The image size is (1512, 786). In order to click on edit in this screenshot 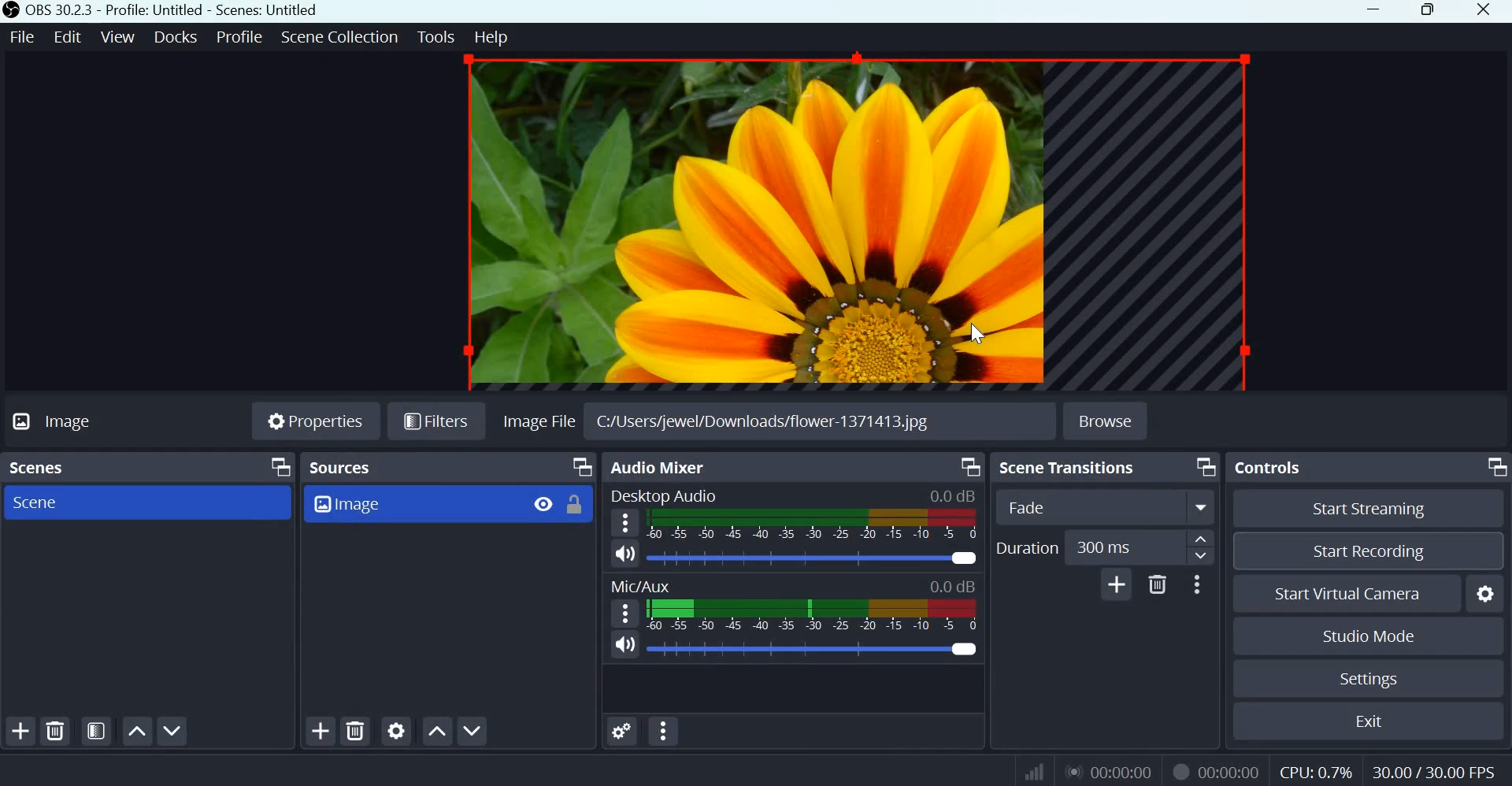, I will do `click(68, 35)`.